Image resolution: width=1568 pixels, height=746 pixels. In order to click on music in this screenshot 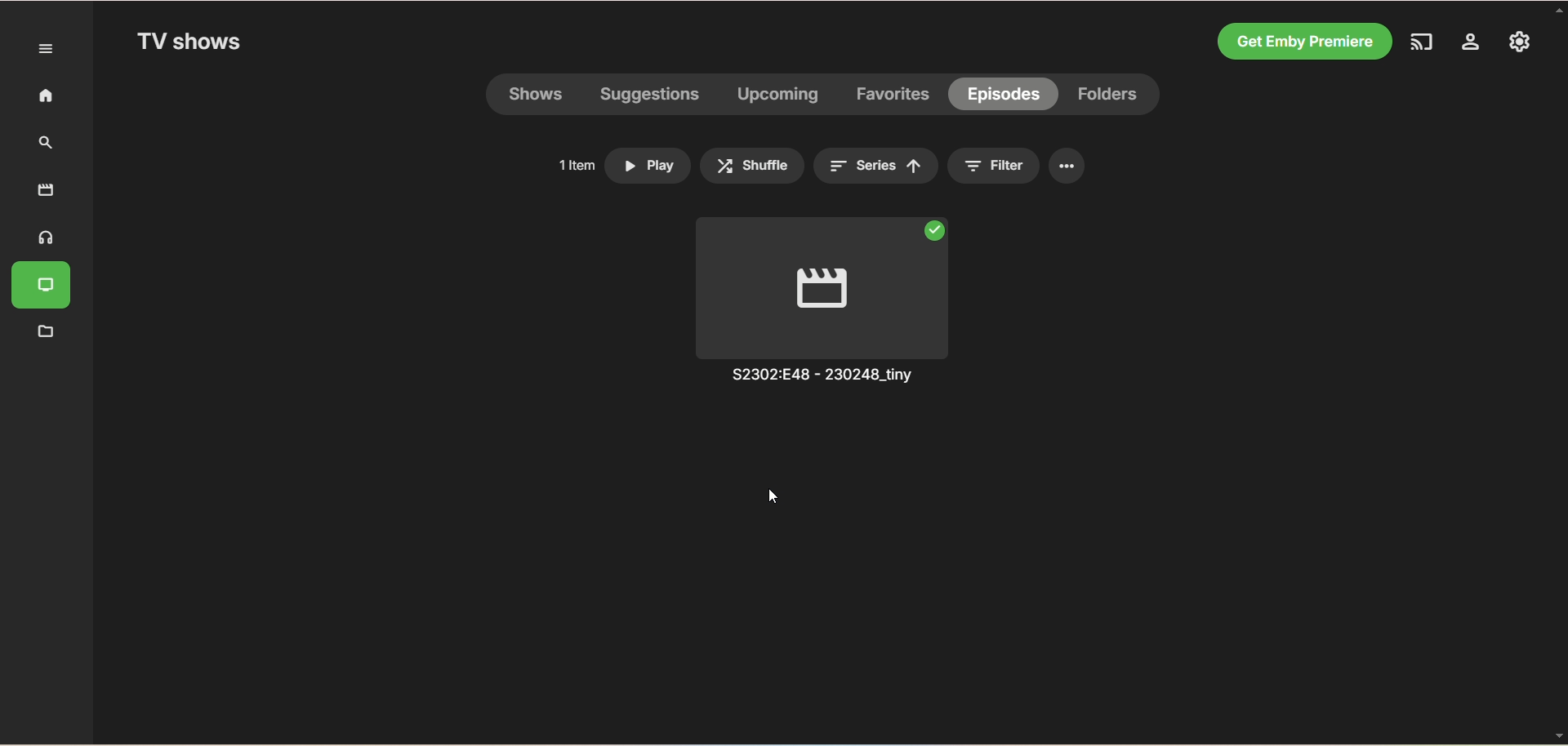, I will do `click(42, 238)`.